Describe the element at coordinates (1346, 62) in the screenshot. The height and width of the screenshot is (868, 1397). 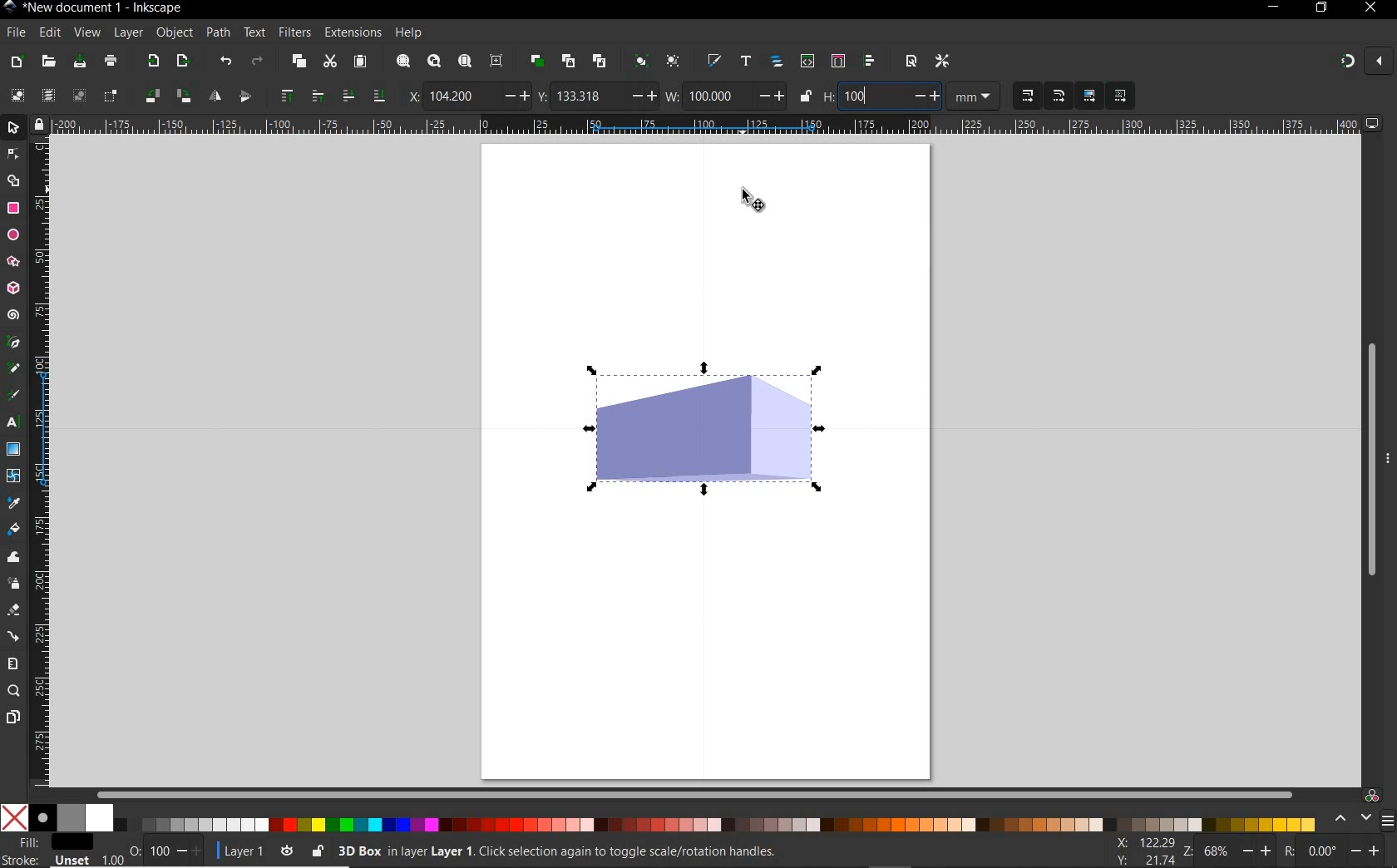
I see `enable snapping` at that location.